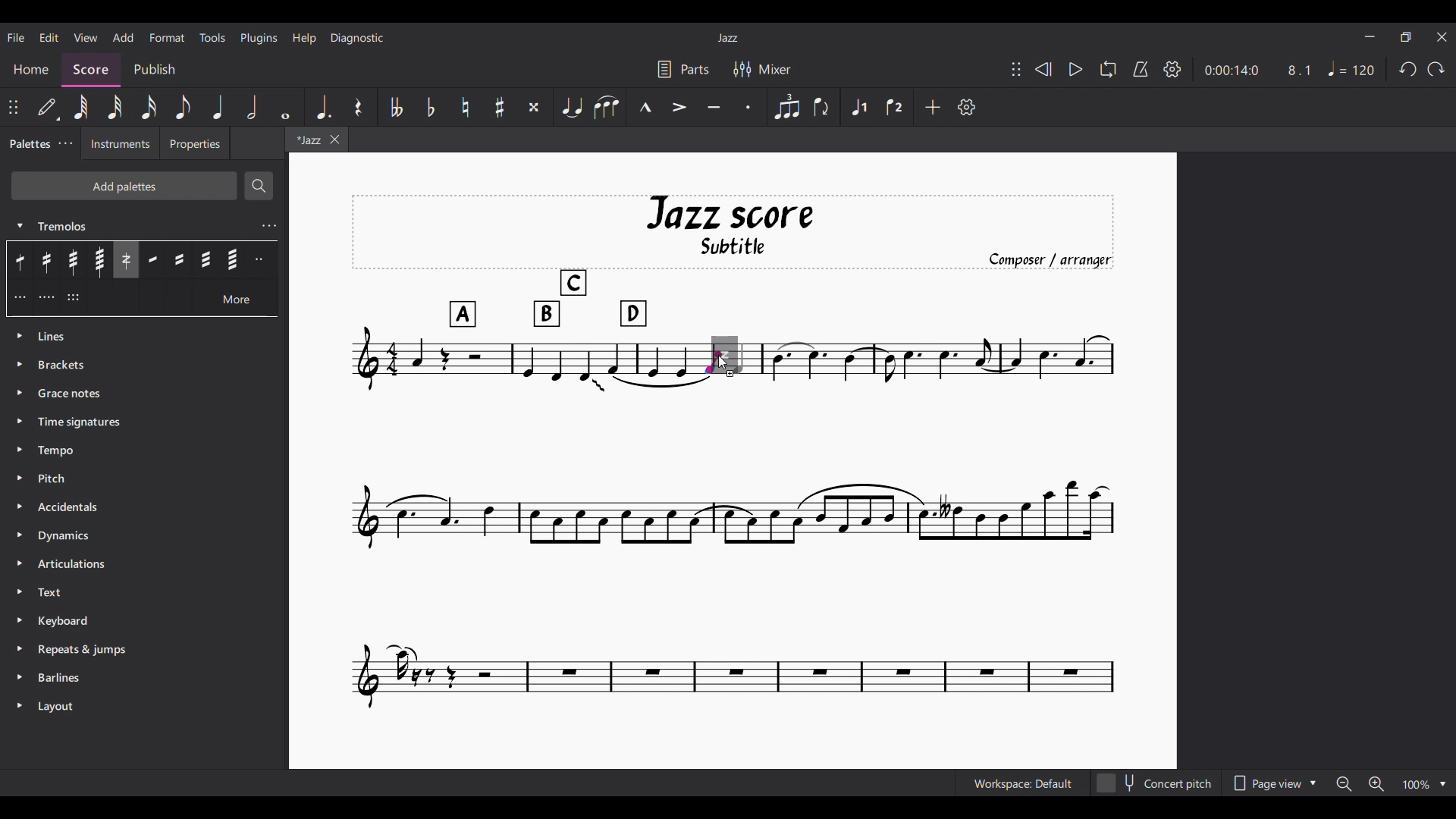 This screenshot has width=1456, height=819. I want to click on Close tab, so click(334, 139).